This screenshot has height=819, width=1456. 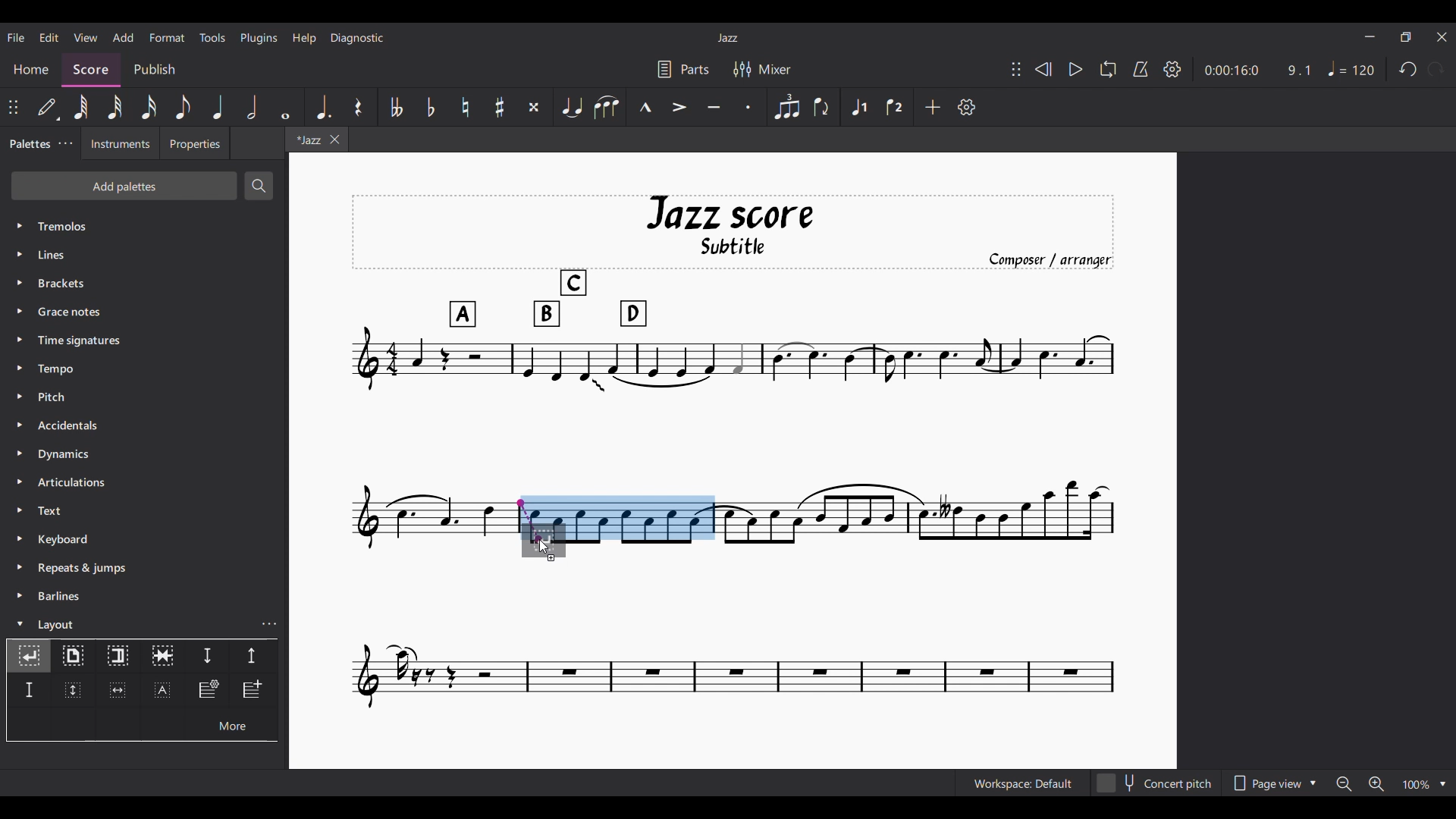 What do you see at coordinates (86, 37) in the screenshot?
I see `View menu` at bounding box center [86, 37].